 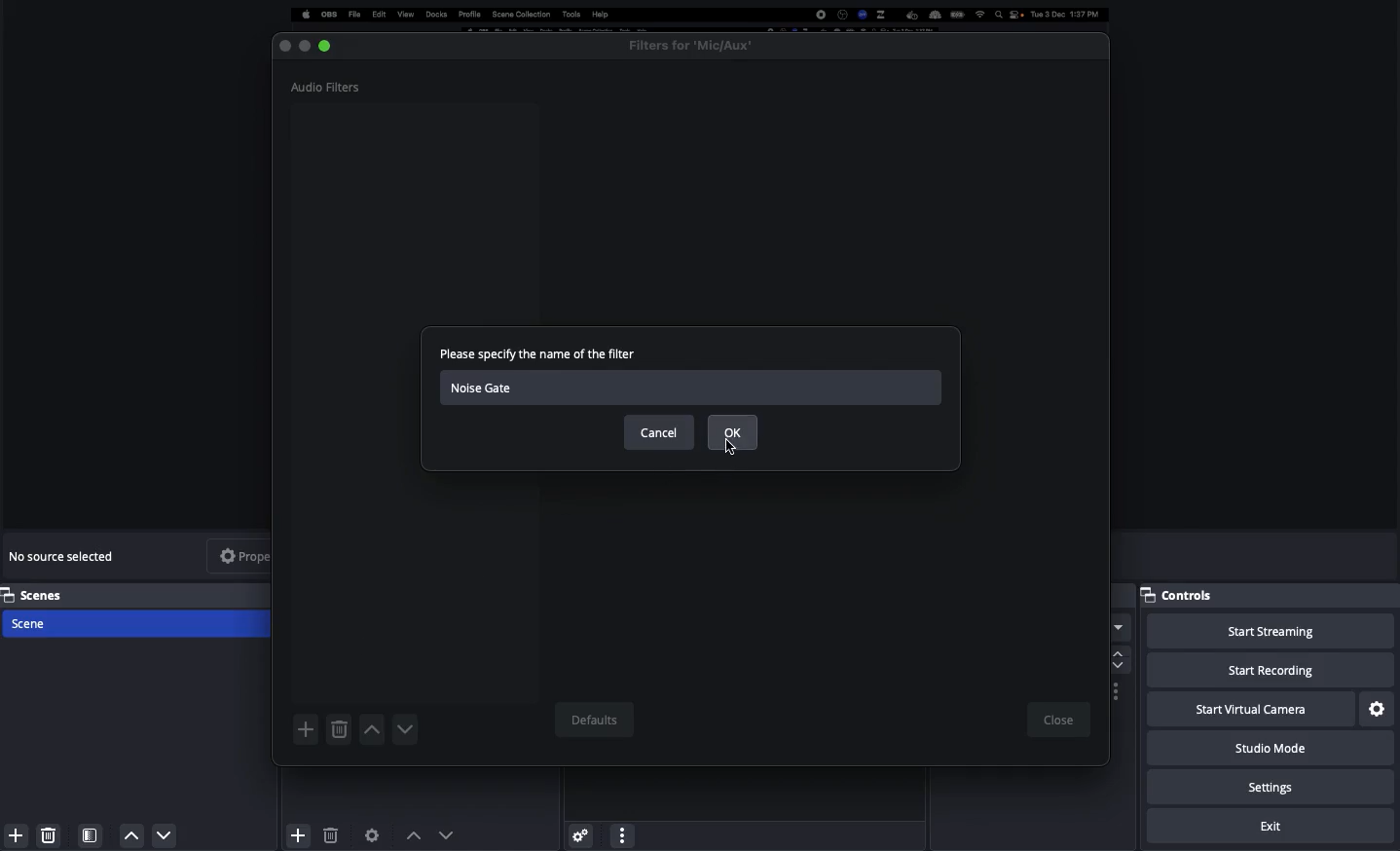 What do you see at coordinates (1117, 692) in the screenshot?
I see `Settings / options` at bounding box center [1117, 692].